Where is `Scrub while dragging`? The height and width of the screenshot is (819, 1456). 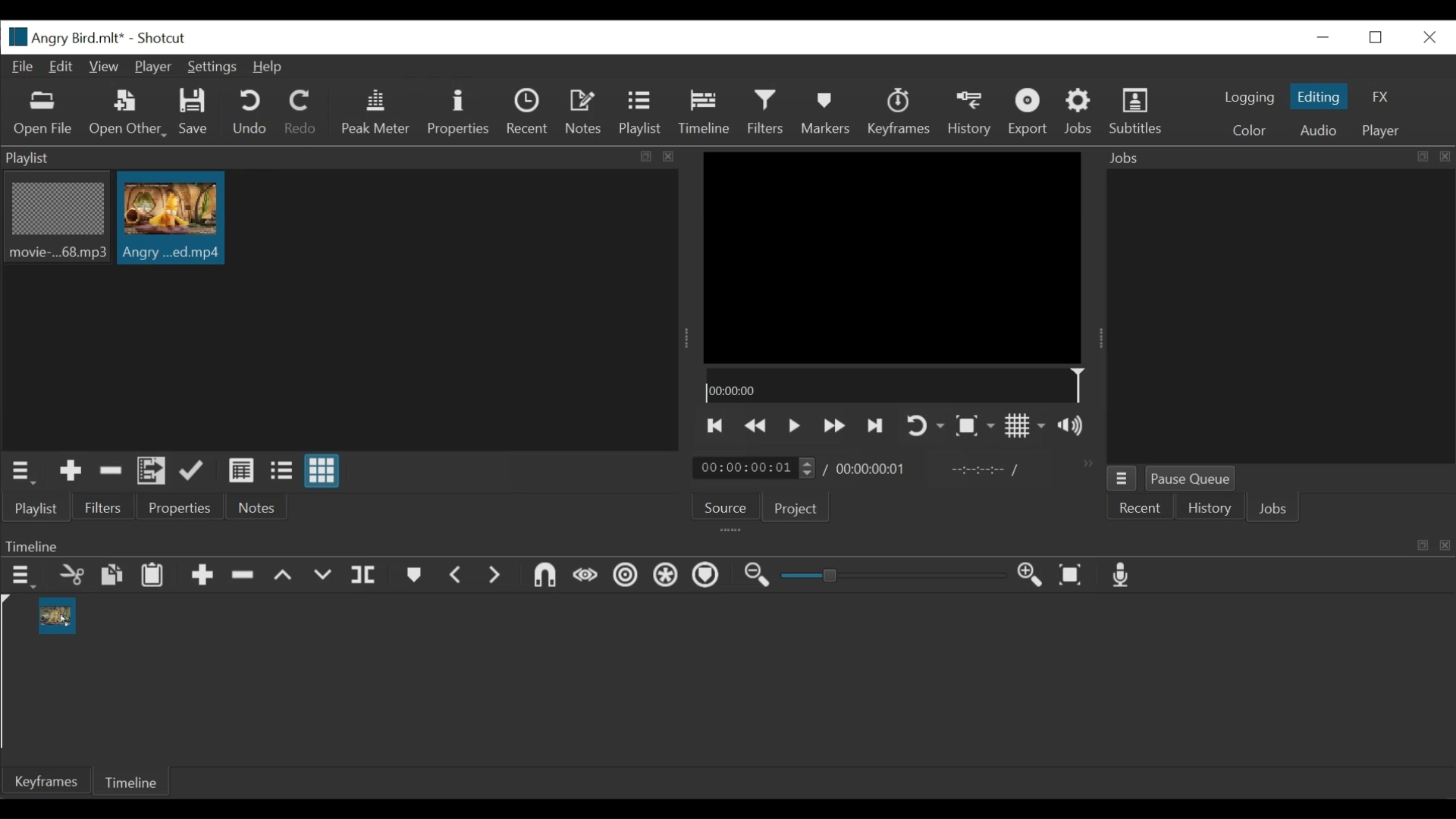 Scrub while dragging is located at coordinates (585, 578).